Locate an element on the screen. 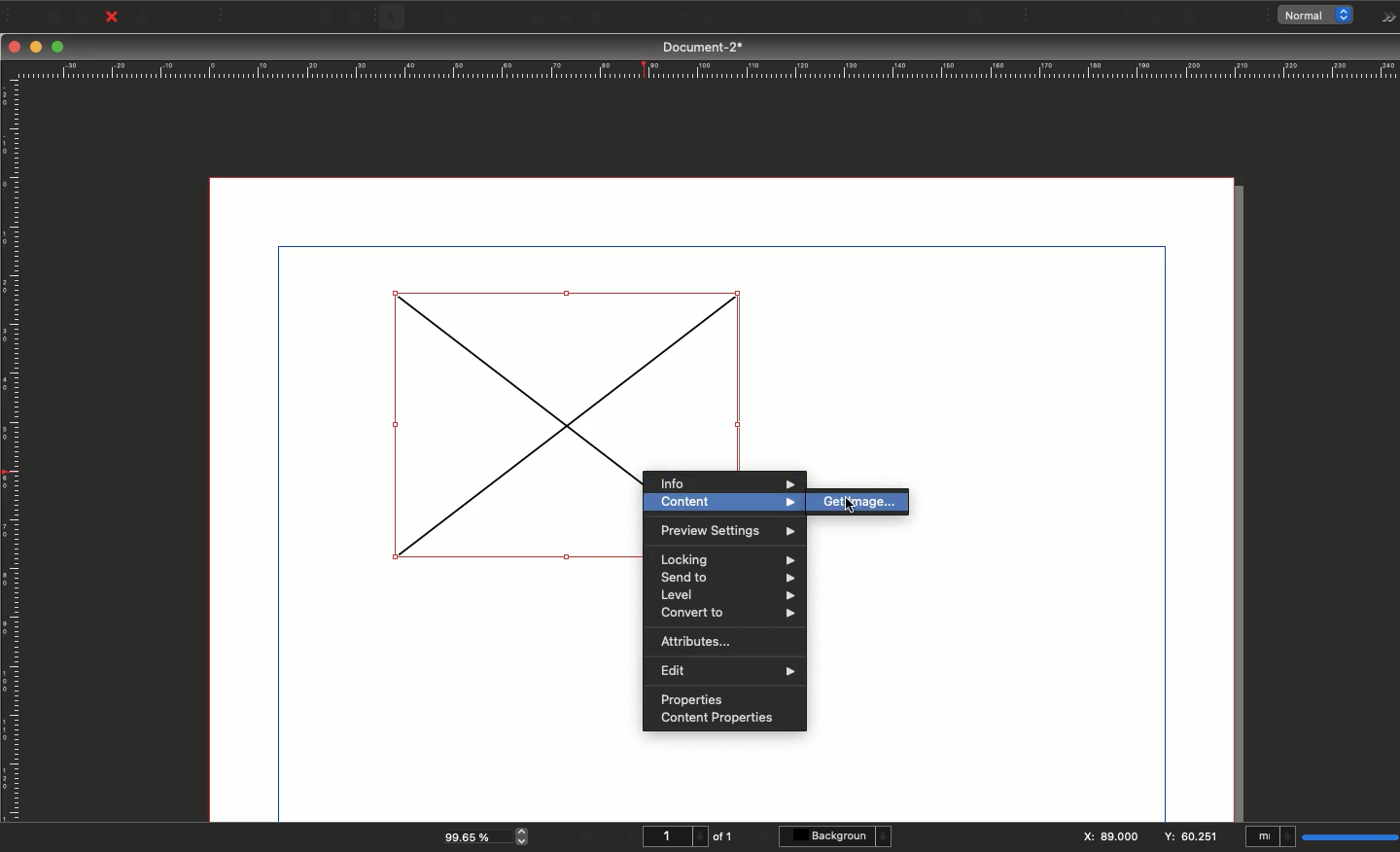 The image size is (1400, 852). Ruler is located at coordinates (705, 70).